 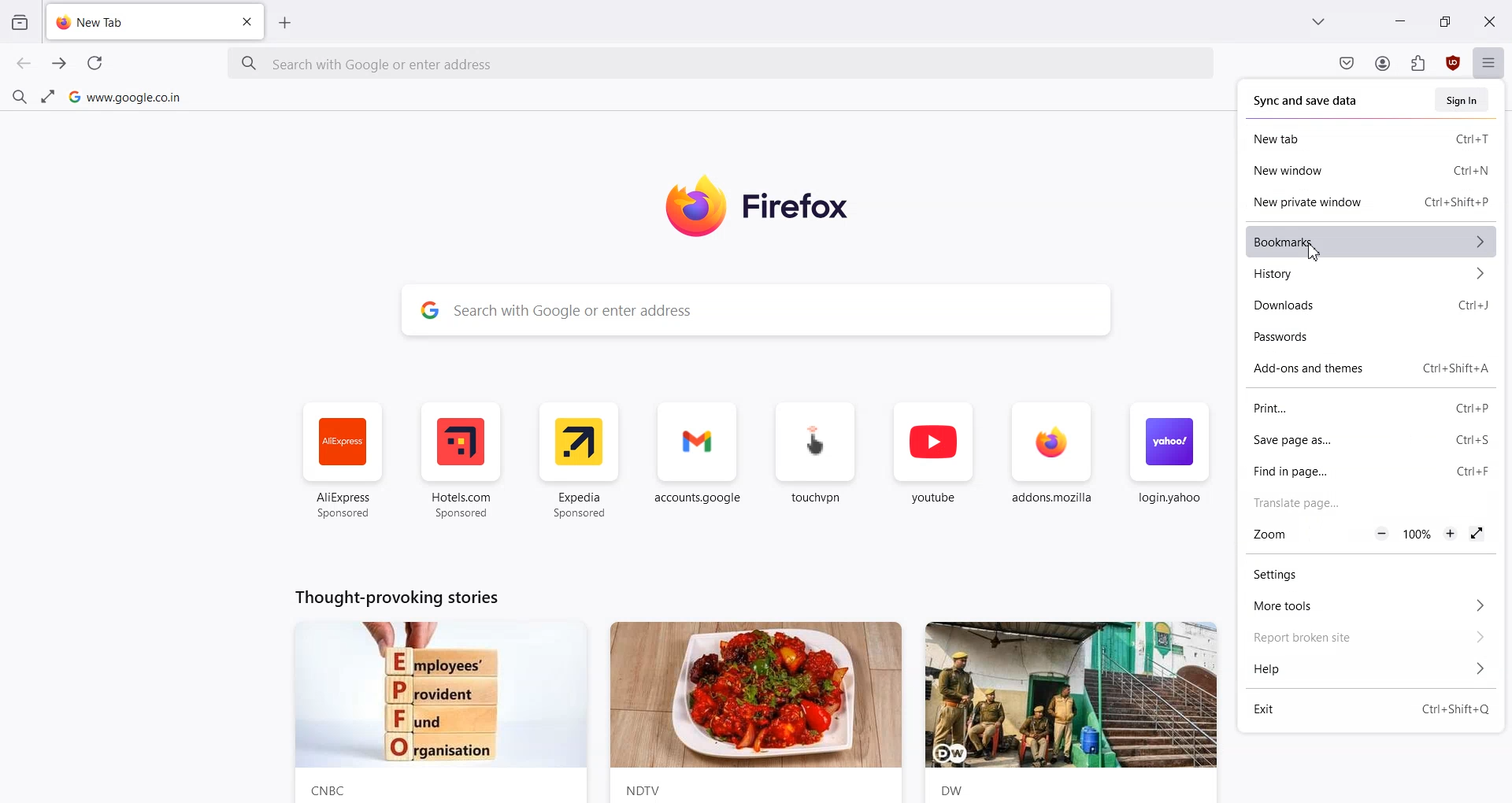 What do you see at coordinates (1319, 709) in the screenshot?
I see `Exit` at bounding box center [1319, 709].